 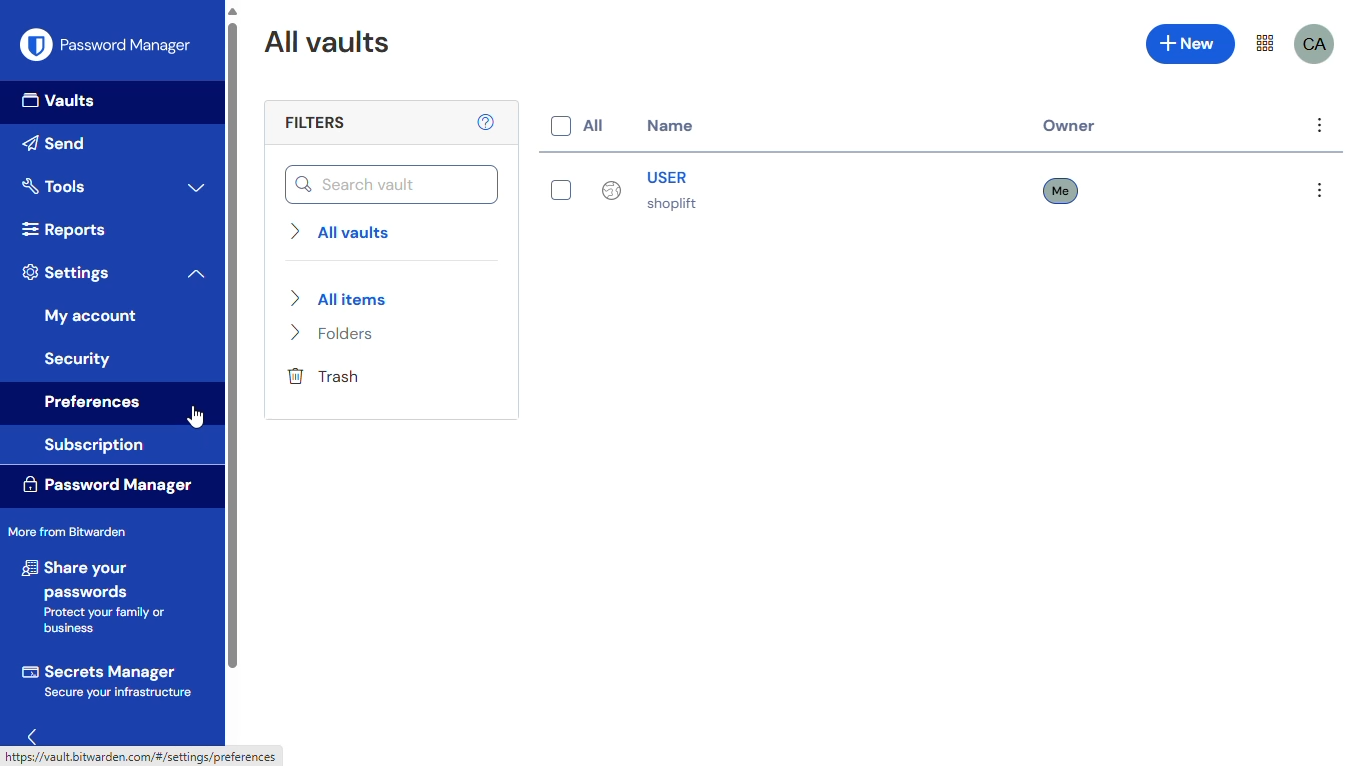 I want to click on Secrets Manager Secure your infrastructure, so click(x=108, y=681).